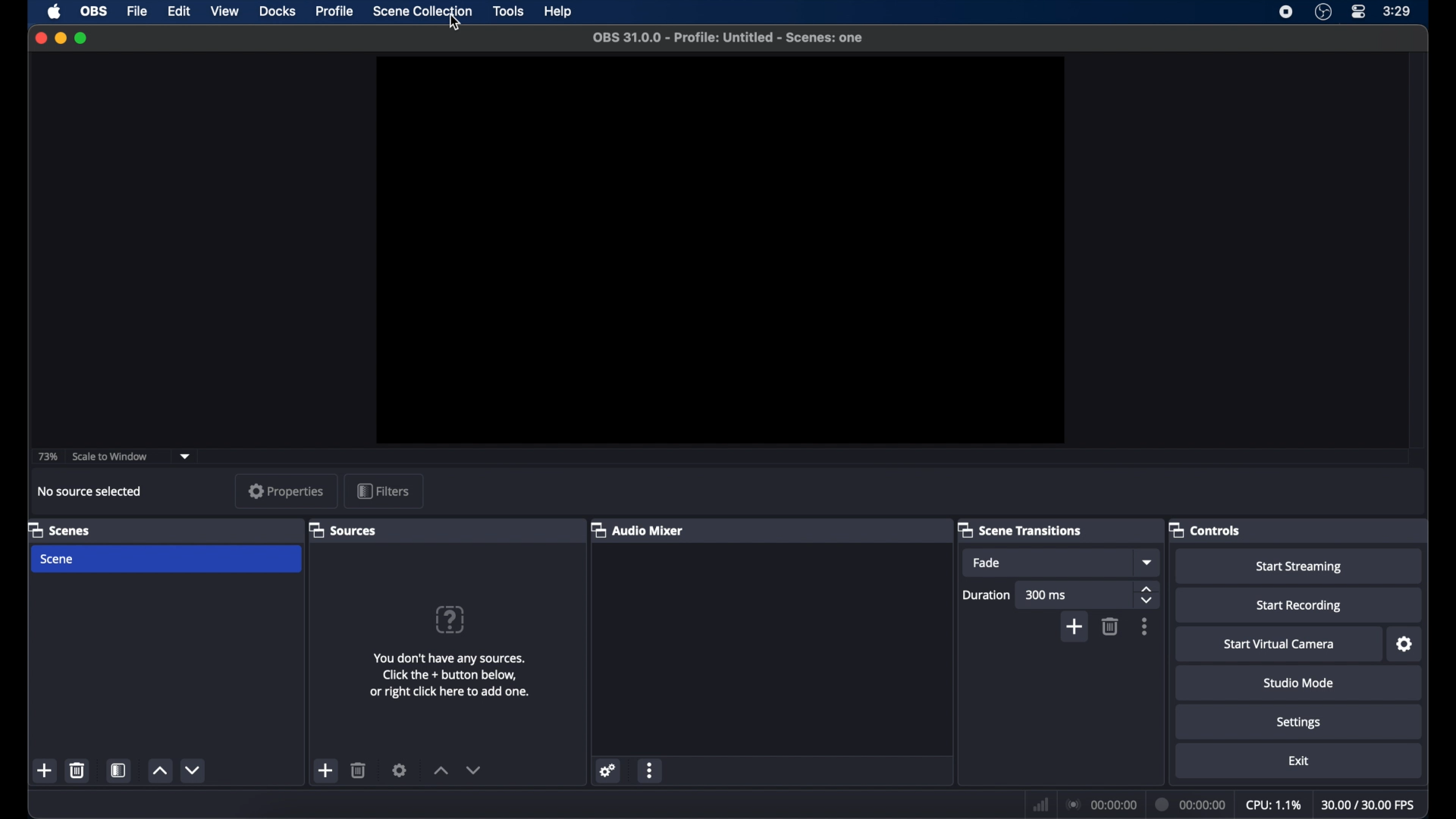 This screenshot has height=819, width=1456. I want to click on delete, so click(77, 770).